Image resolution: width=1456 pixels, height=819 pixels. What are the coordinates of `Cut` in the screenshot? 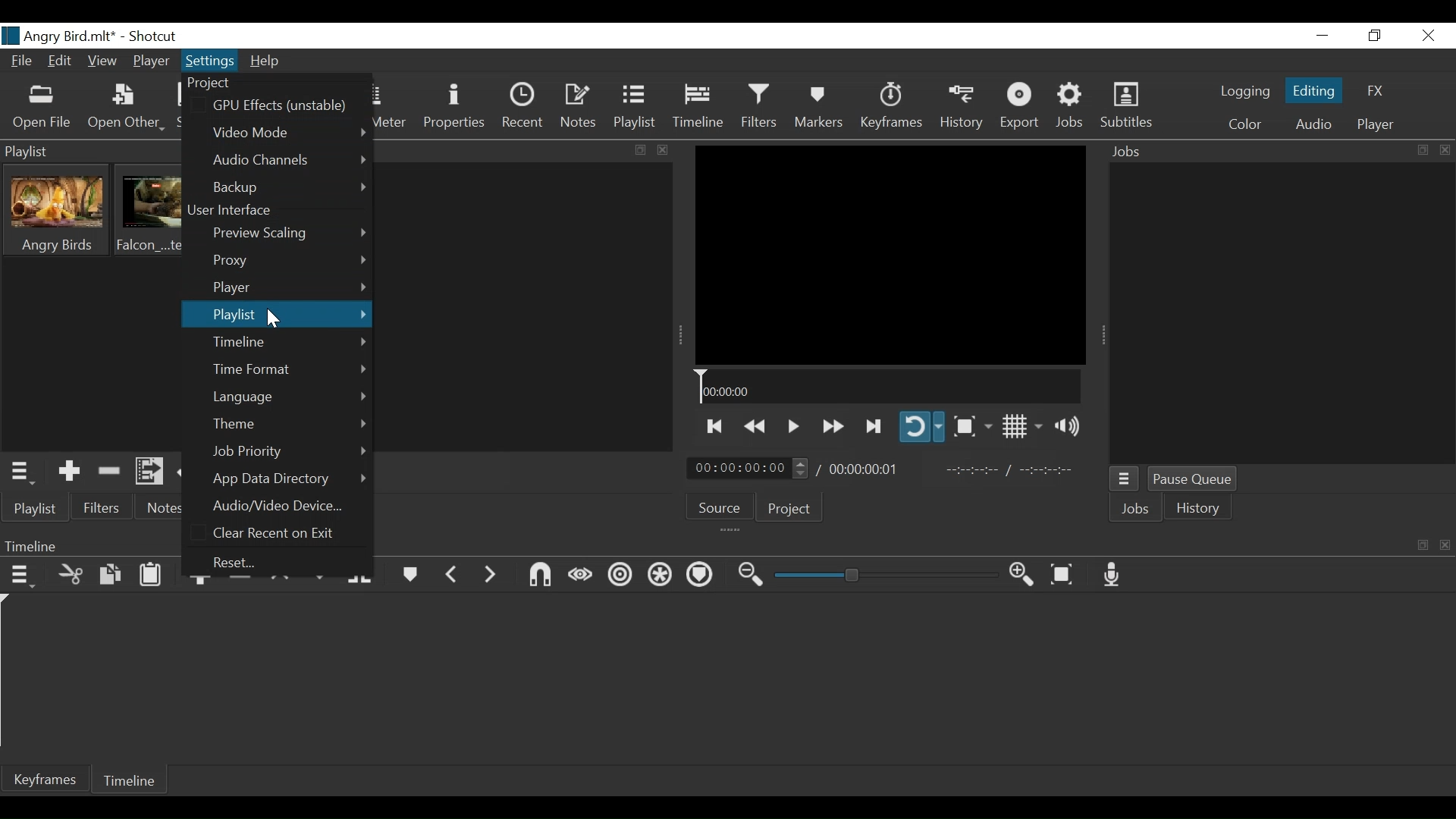 It's located at (71, 576).